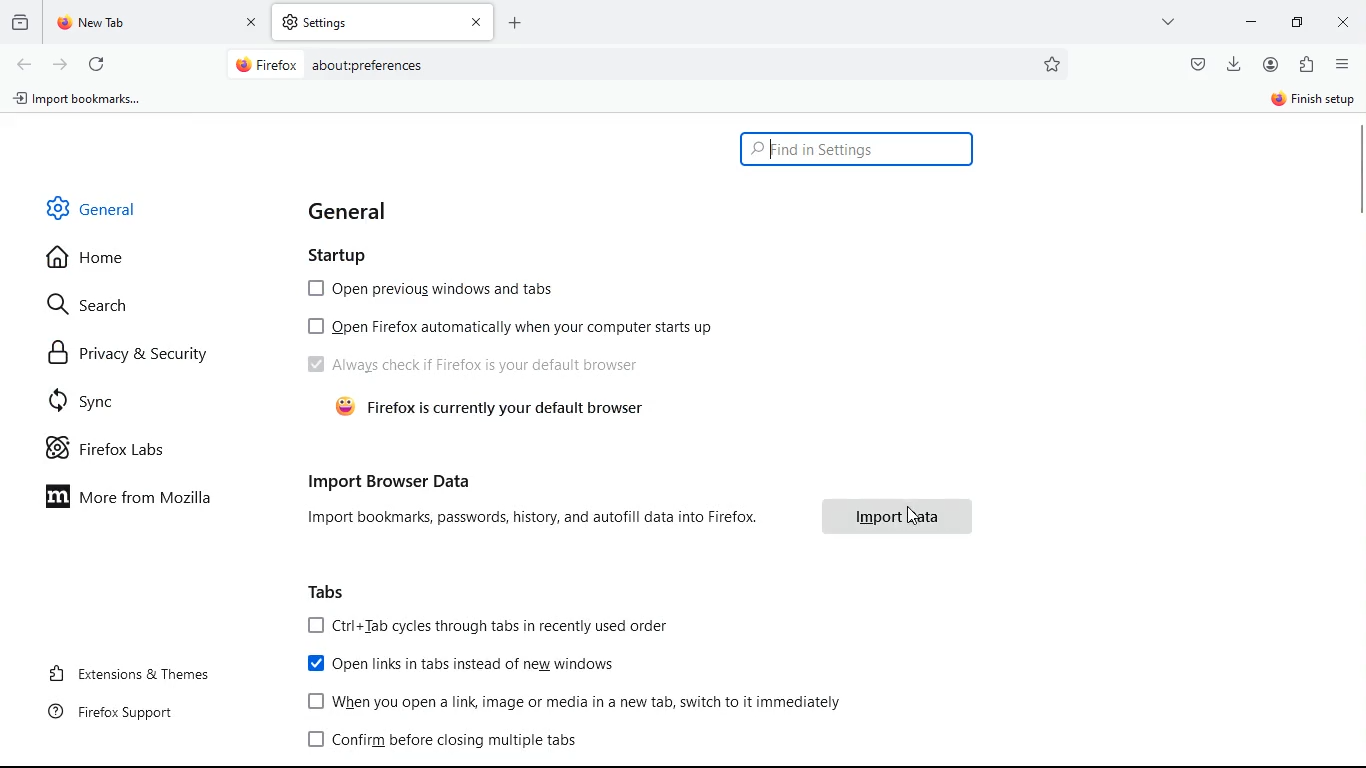 The width and height of the screenshot is (1366, 768). I want to click on sync, so click(131, 399).